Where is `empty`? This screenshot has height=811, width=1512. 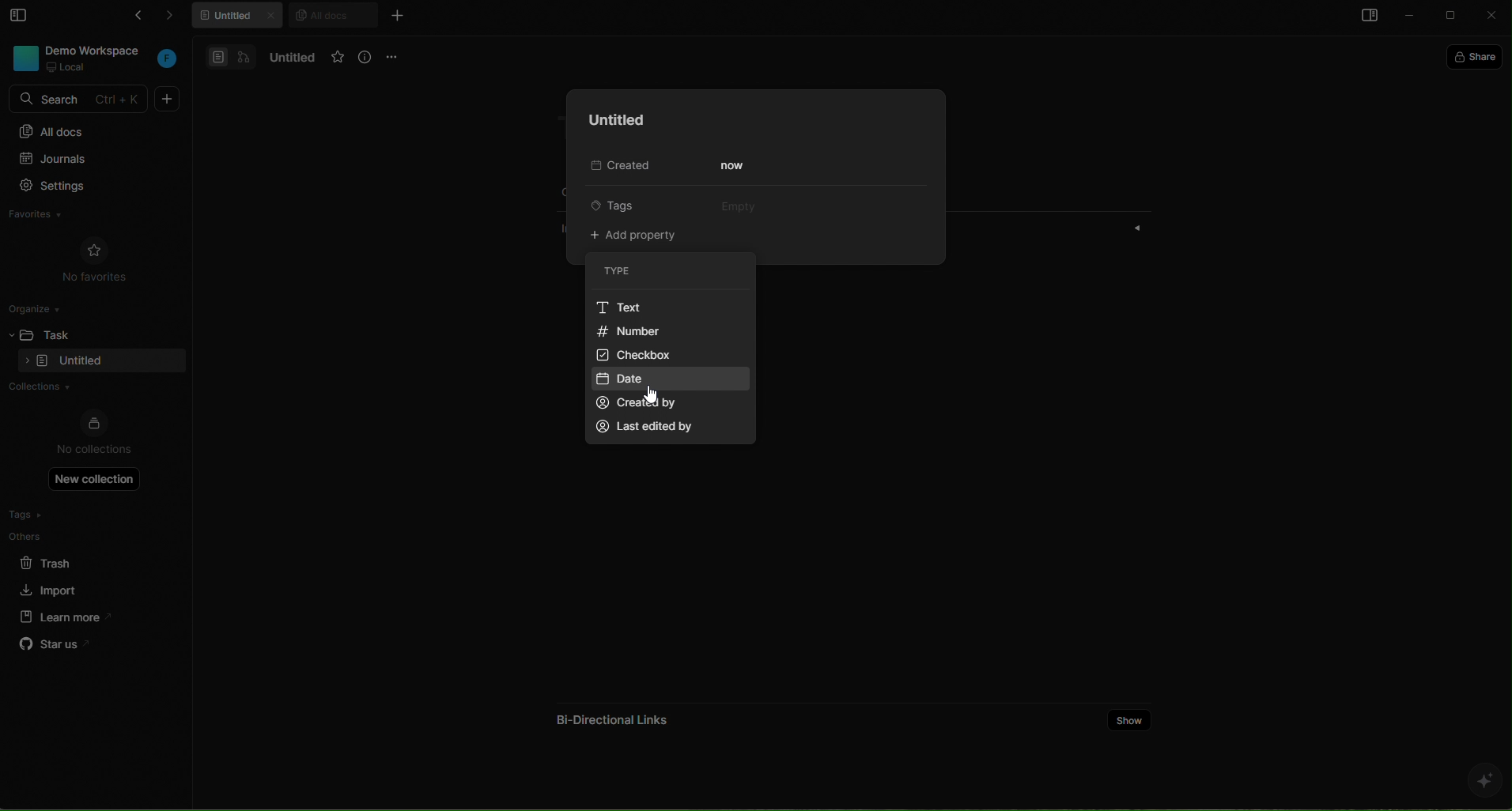 empty is located at coordinates (735, 204).